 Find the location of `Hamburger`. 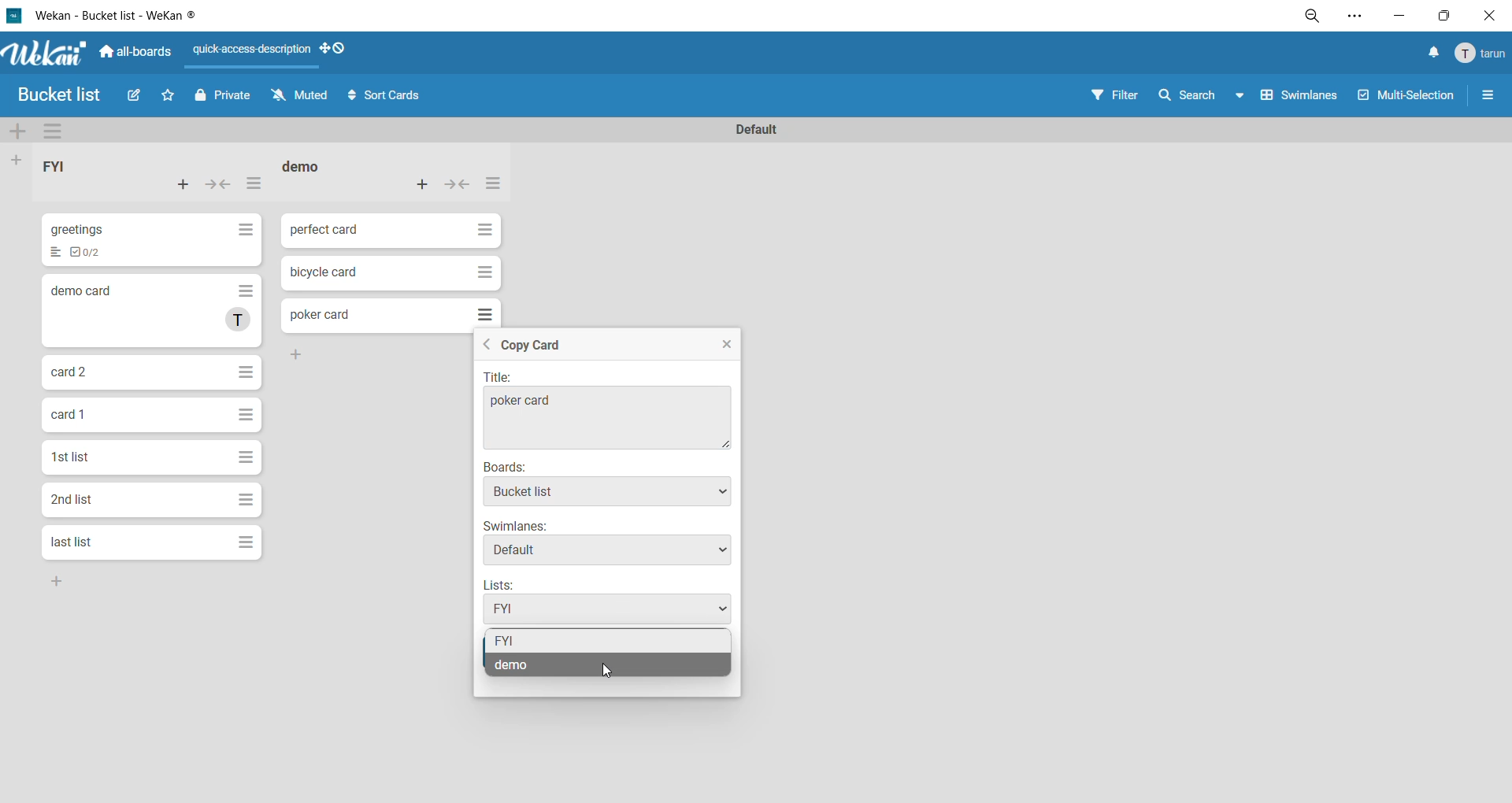

Hamburger is located at coordinates (246, 500).